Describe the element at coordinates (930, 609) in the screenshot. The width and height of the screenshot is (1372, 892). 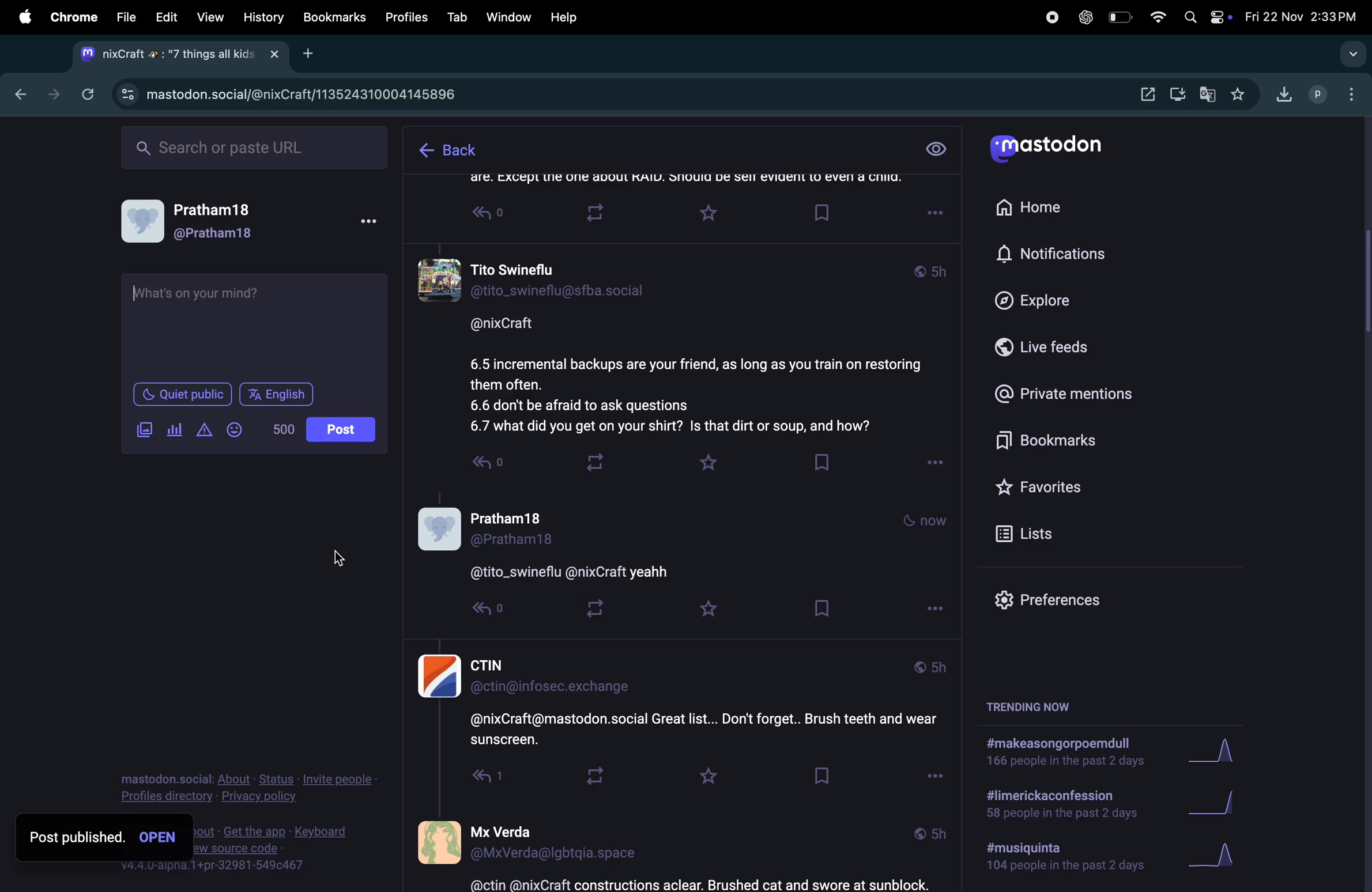
I see `Options` at that location.